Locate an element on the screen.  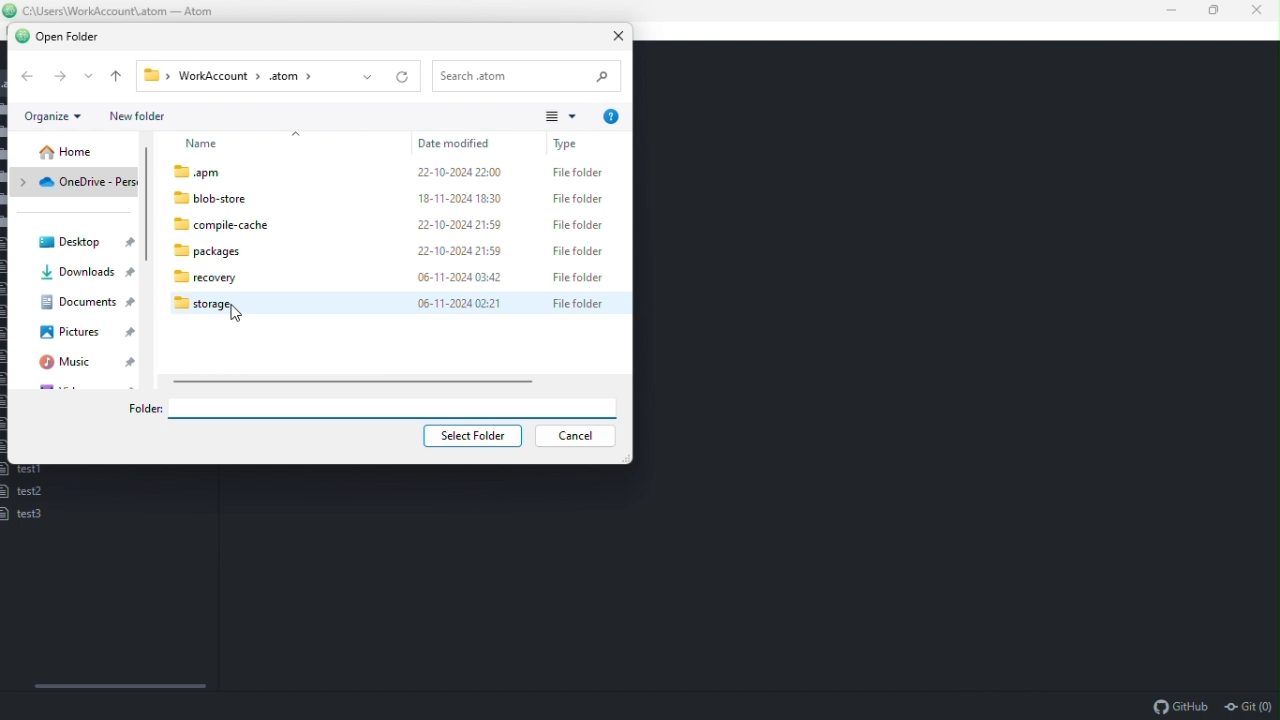
Workaccount -> .atom (file path) is located at coordinates (278, 78).